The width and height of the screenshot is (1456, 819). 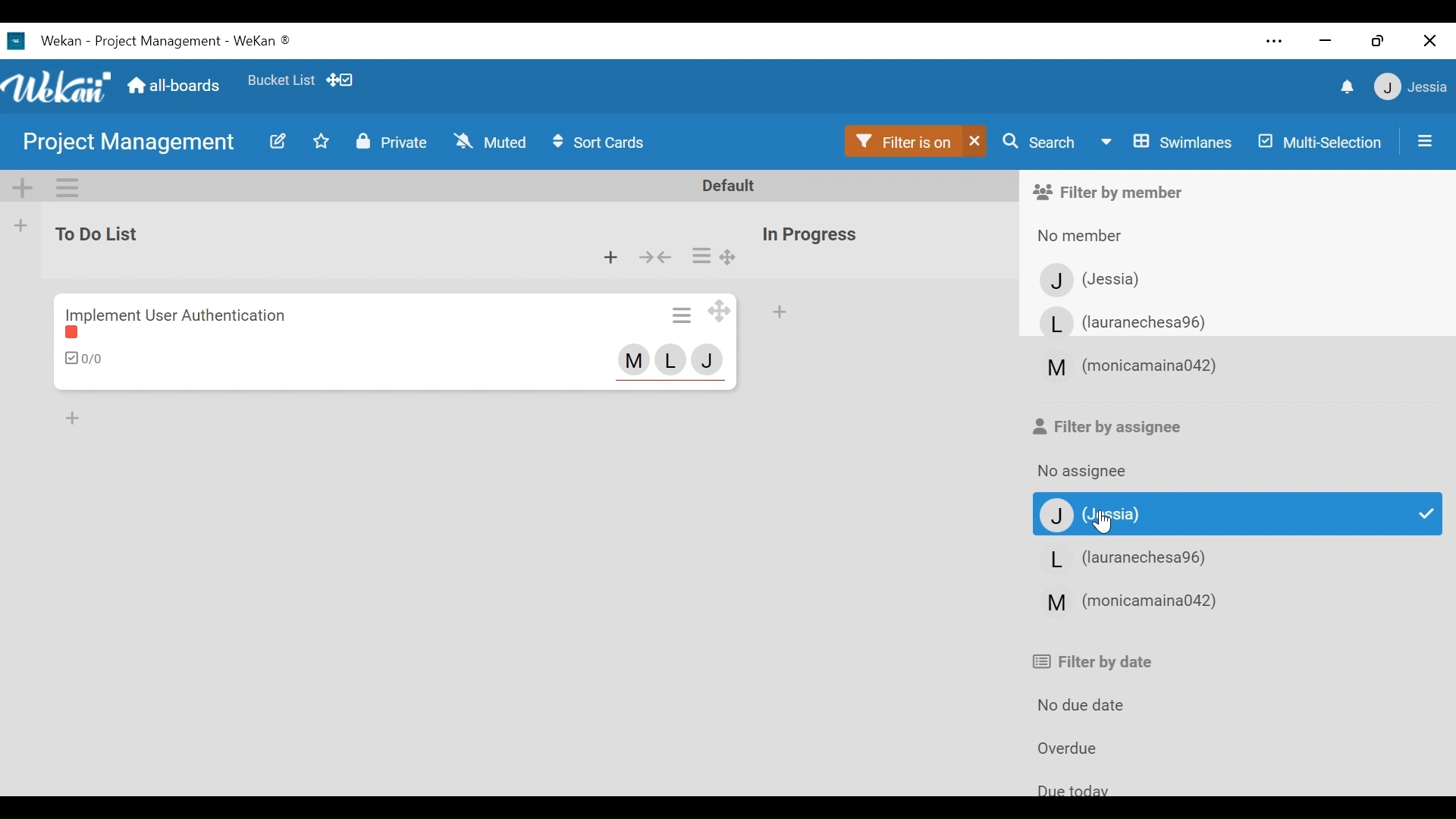 I want to click on Add List, so click(x=21, y=227).